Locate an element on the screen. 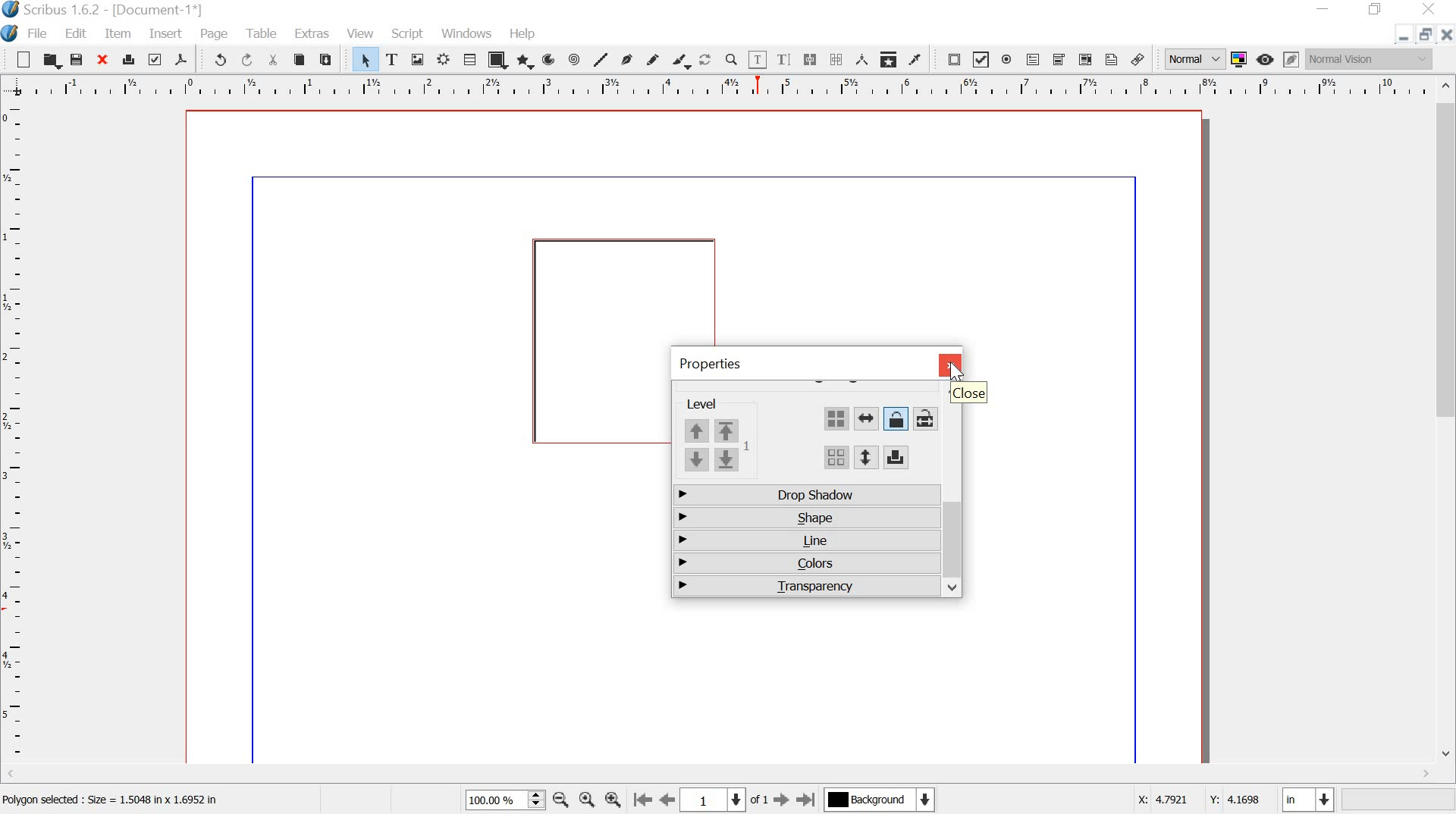 Image resolution: width=1456 pixels, height=814 pixels. pdf radio button is located at coordinates (1009, 61).